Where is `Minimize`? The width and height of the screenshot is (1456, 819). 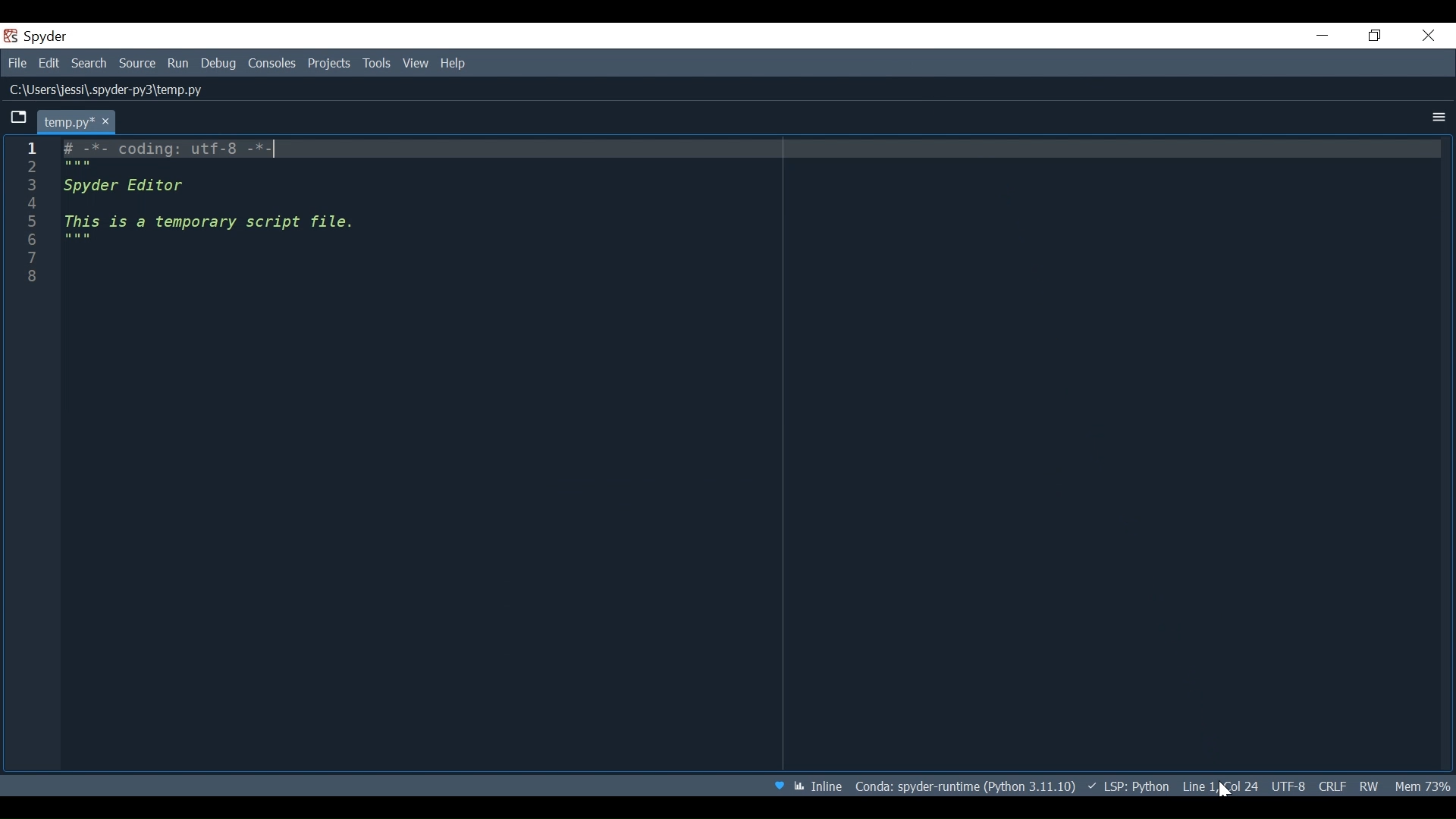 Minimize is located at coordinates (1321, 35).